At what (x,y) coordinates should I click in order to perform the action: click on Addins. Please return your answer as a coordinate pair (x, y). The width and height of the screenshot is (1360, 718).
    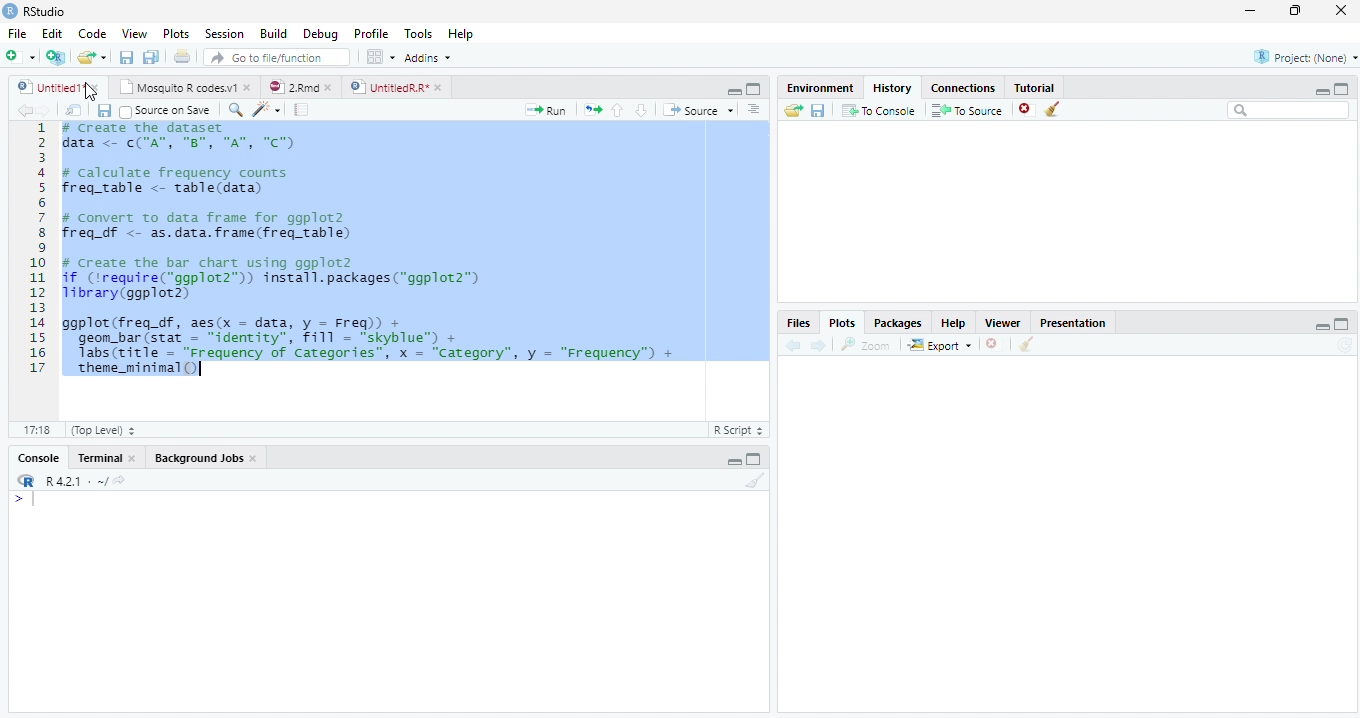
    Looking at the image, I should click on (430, 58).